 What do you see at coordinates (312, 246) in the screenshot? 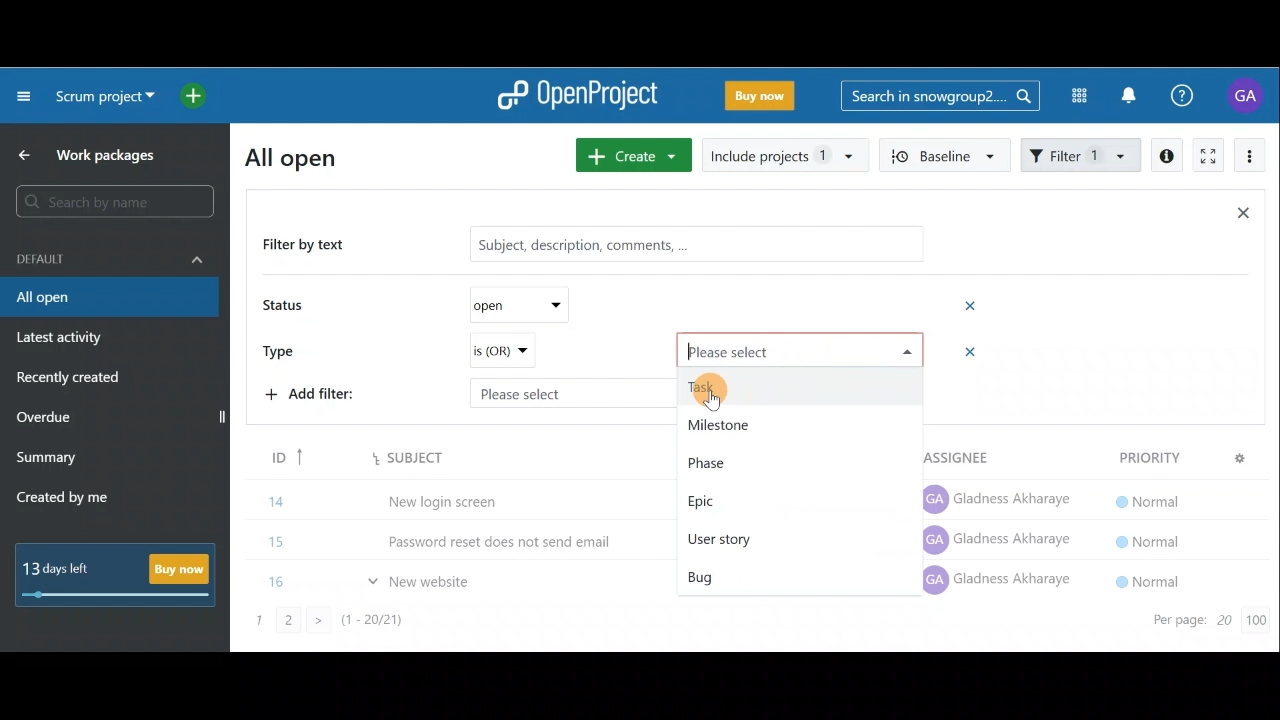
I see `Filter by text` at bounding box center [312, 246].